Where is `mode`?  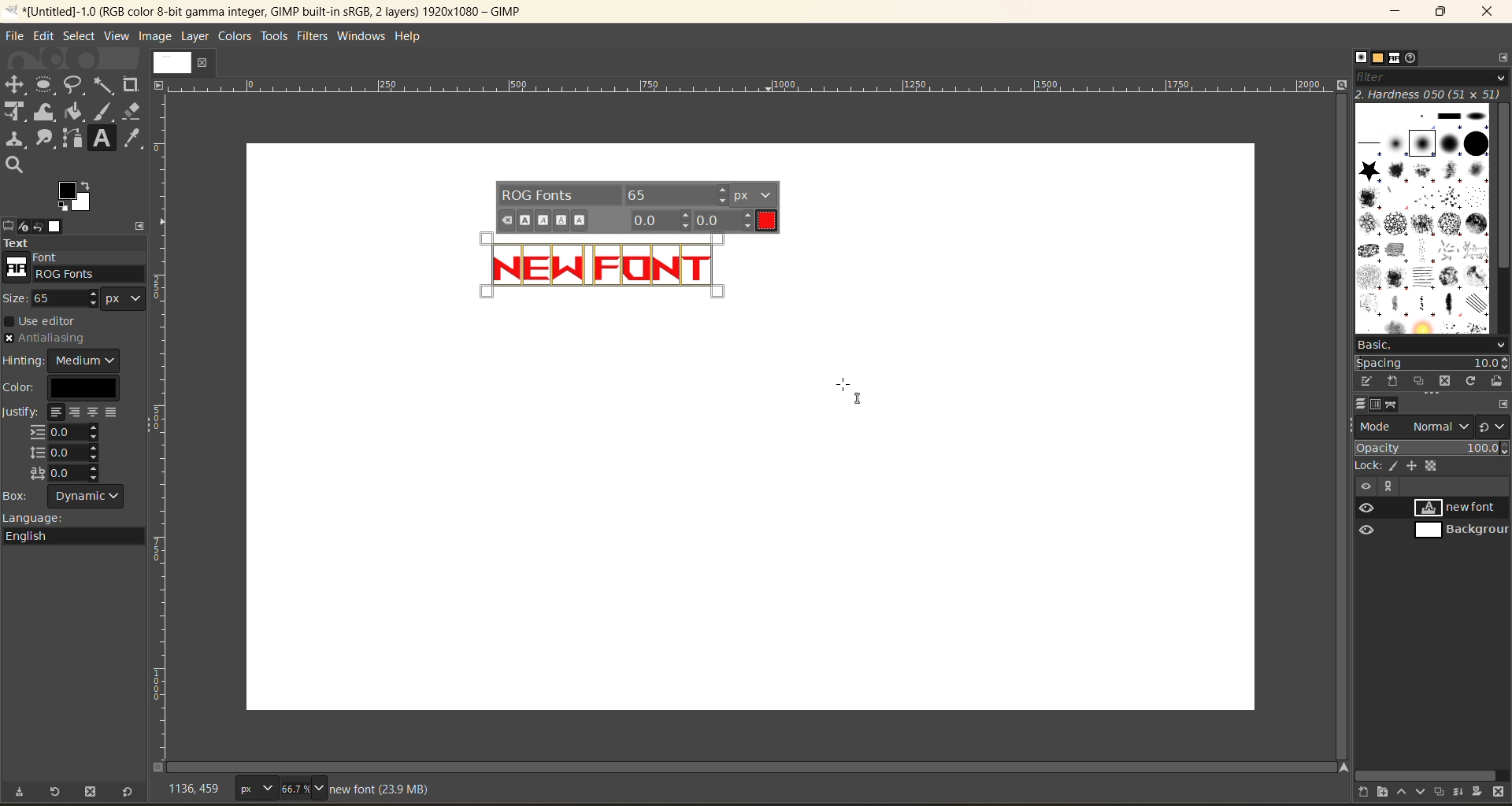 mode is located at coordinates (1415, 426).